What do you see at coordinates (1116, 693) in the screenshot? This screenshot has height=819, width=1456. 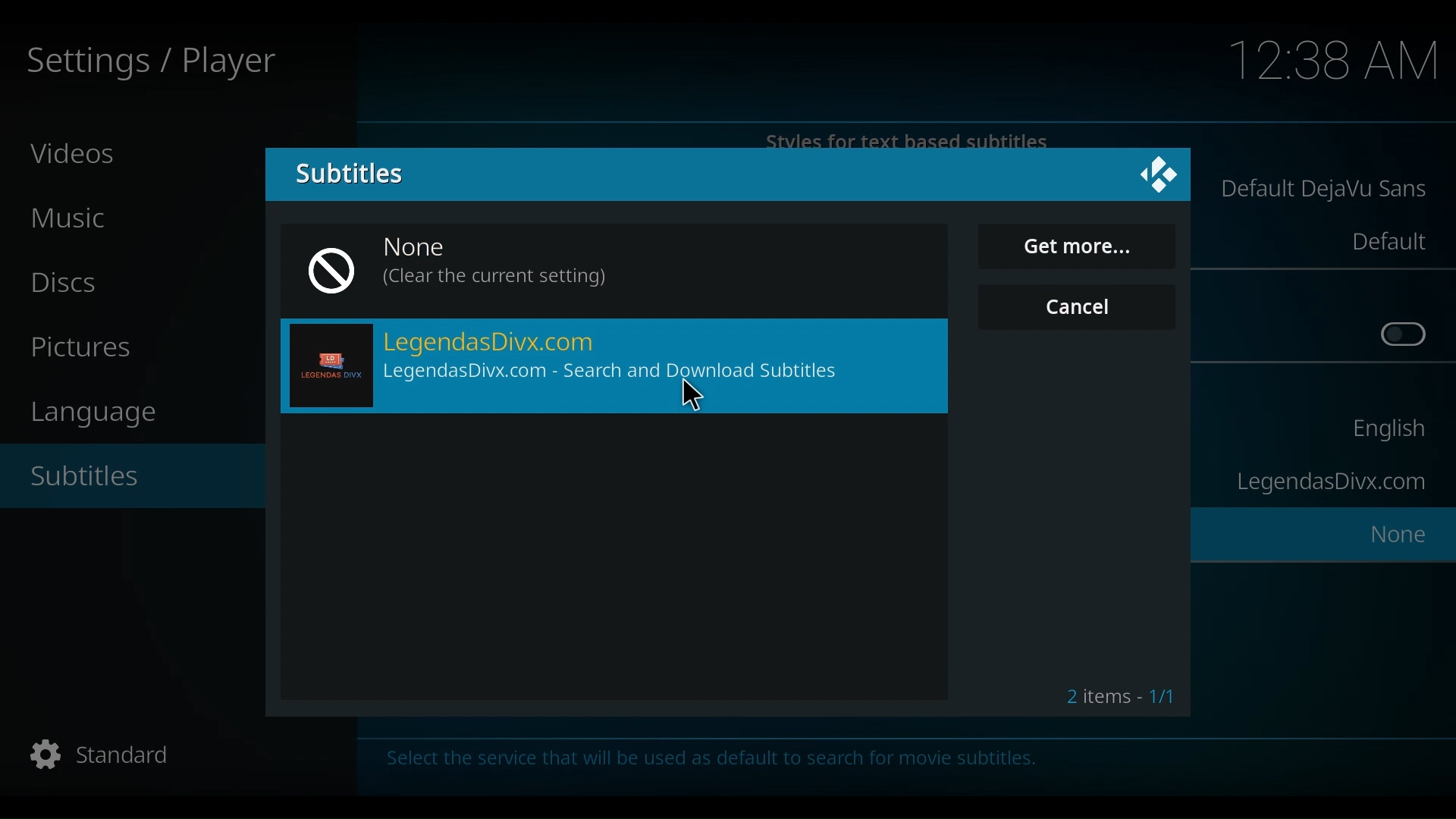 I see `items` at bounding box center [1116, 693].